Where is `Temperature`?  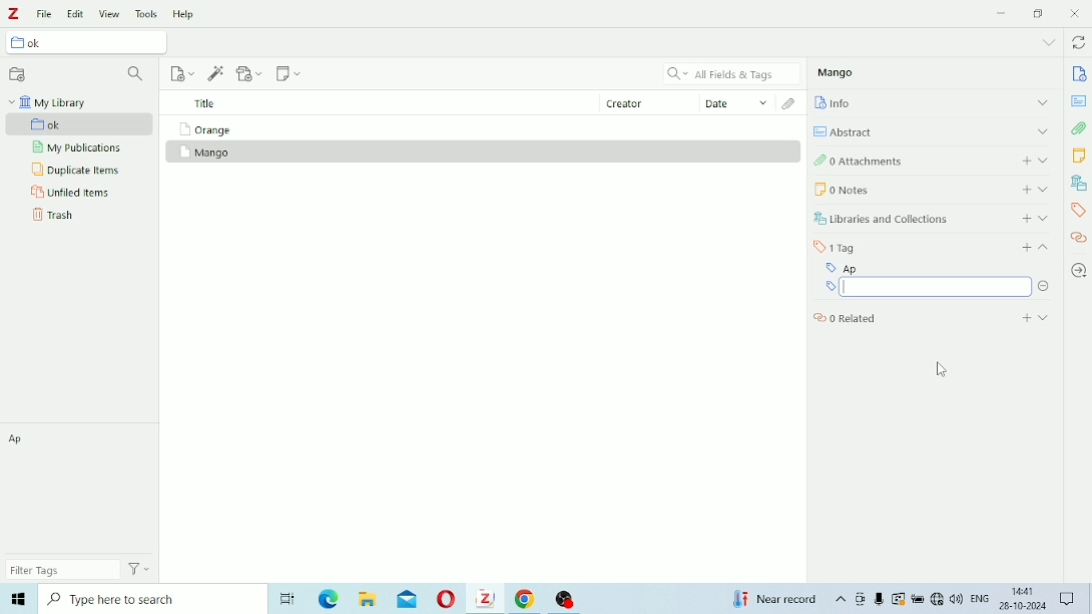
Temperature is located at coordinates (776, 599).